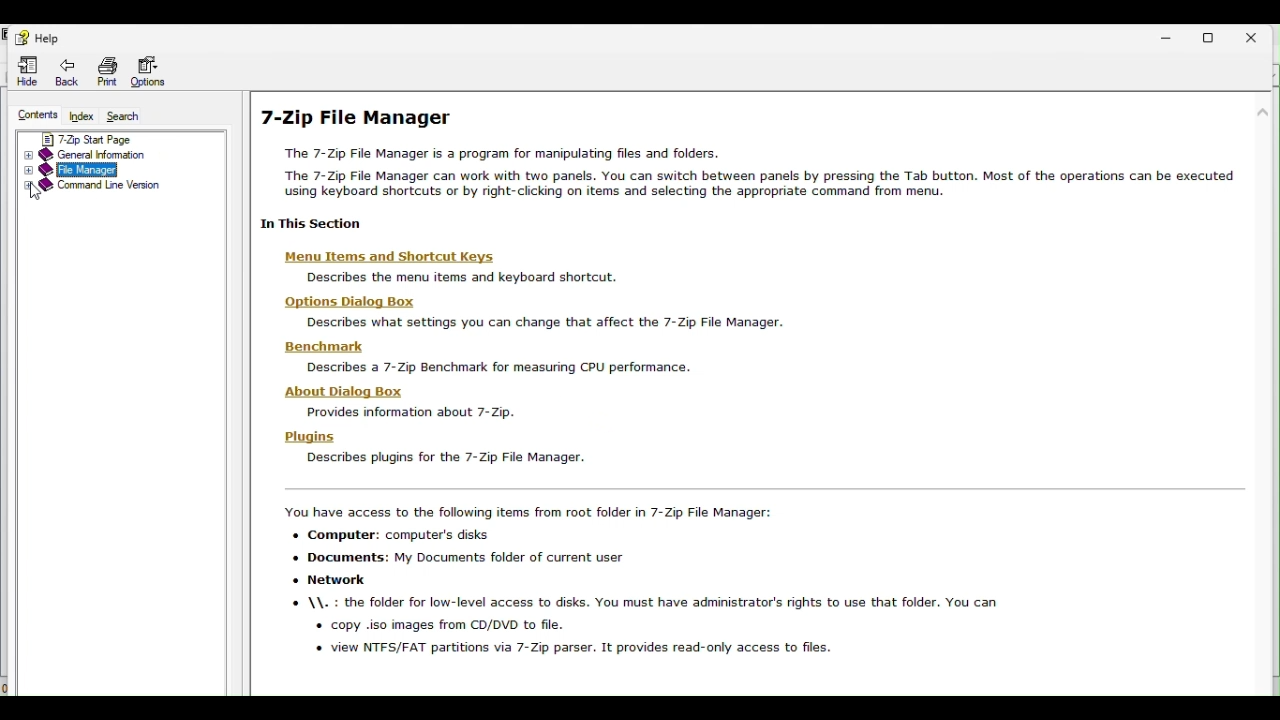 The height and width of the screenshot is (720, 1280). I want to click on Provides information about 7-2, so click(402, 412).